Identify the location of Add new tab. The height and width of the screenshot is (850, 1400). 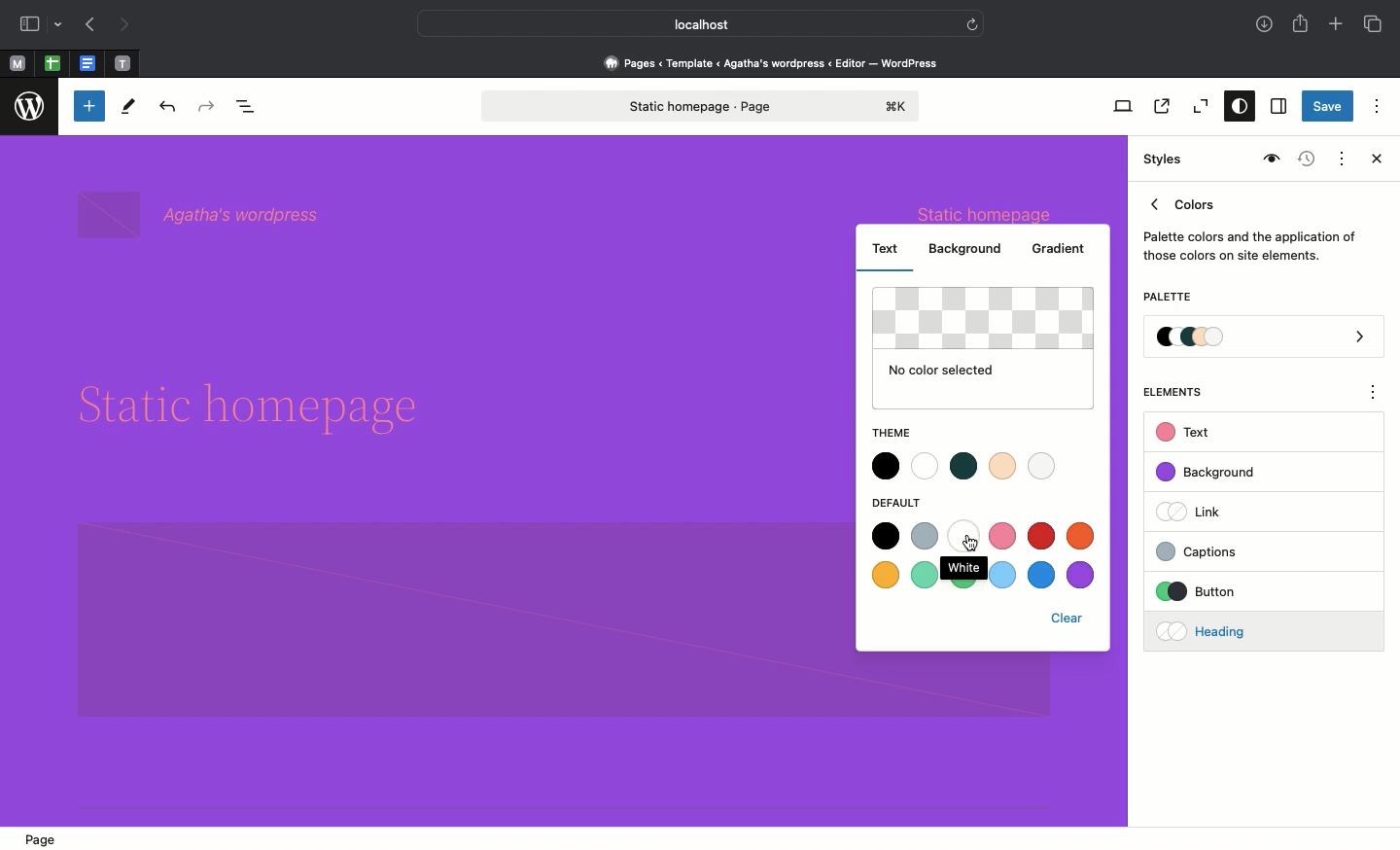
(1338, 26).